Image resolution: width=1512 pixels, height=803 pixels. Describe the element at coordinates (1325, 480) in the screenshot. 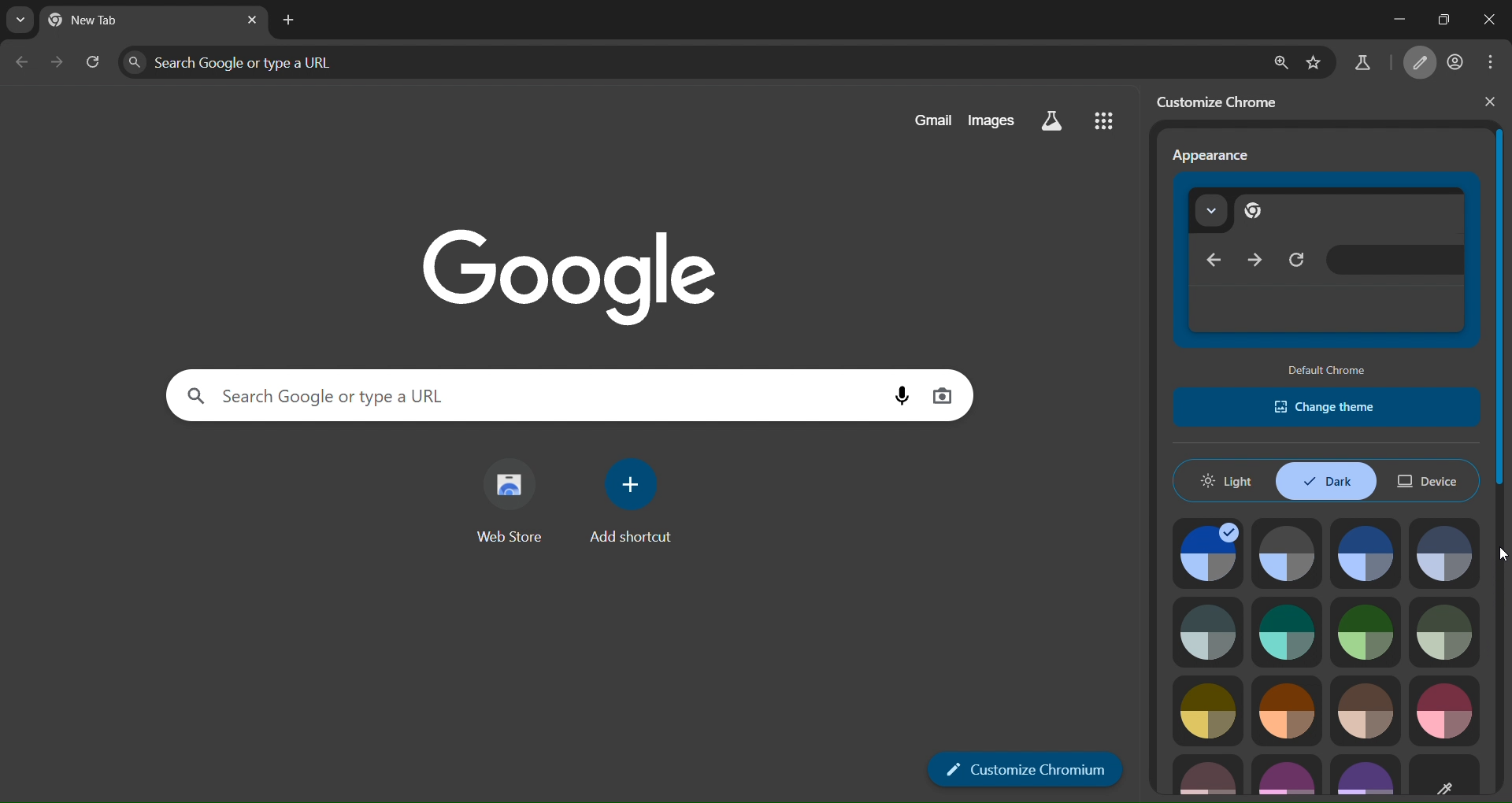

I see `dark` at that location.